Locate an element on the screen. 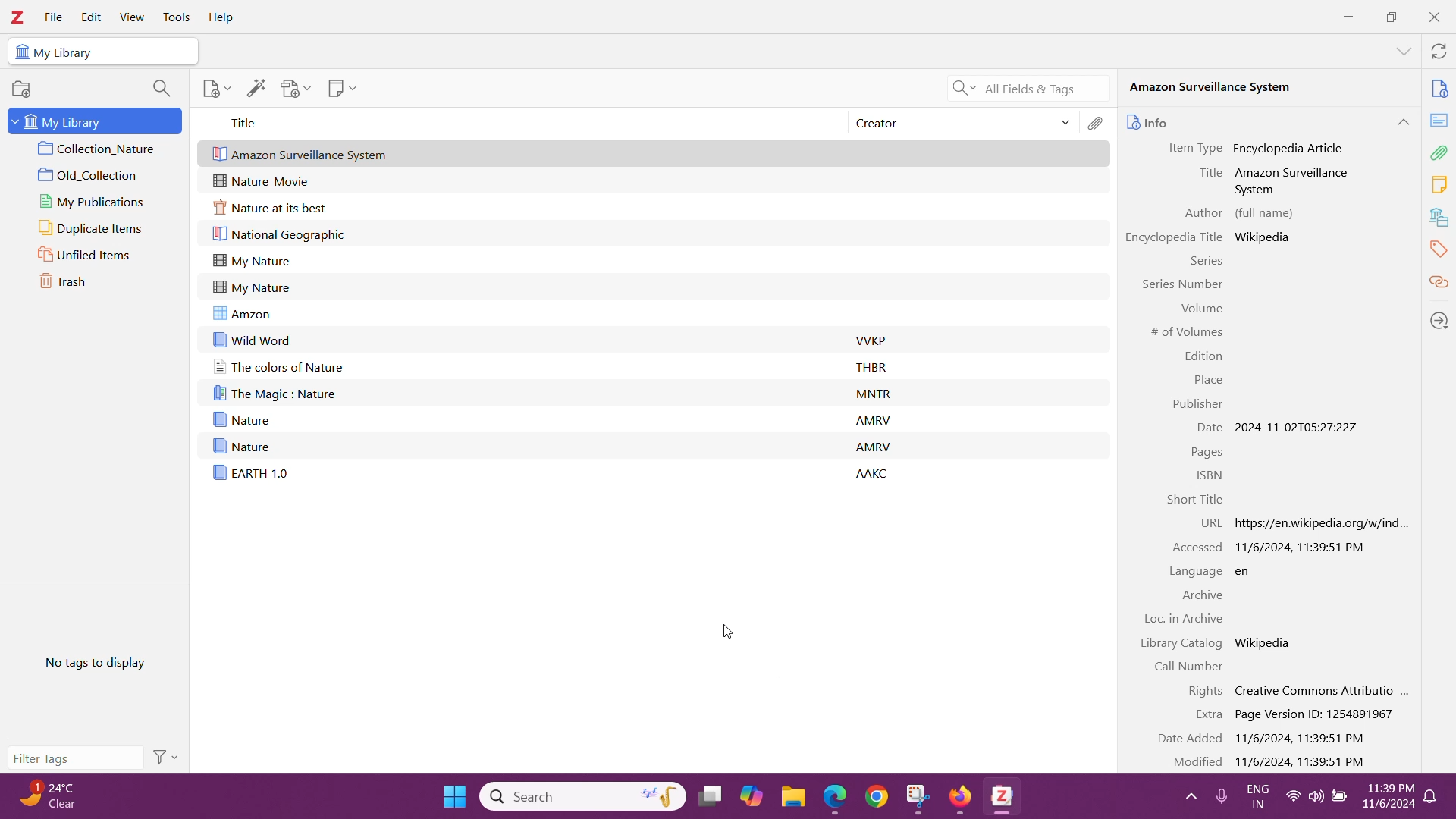  Creator is located at coordinates (947, 124).